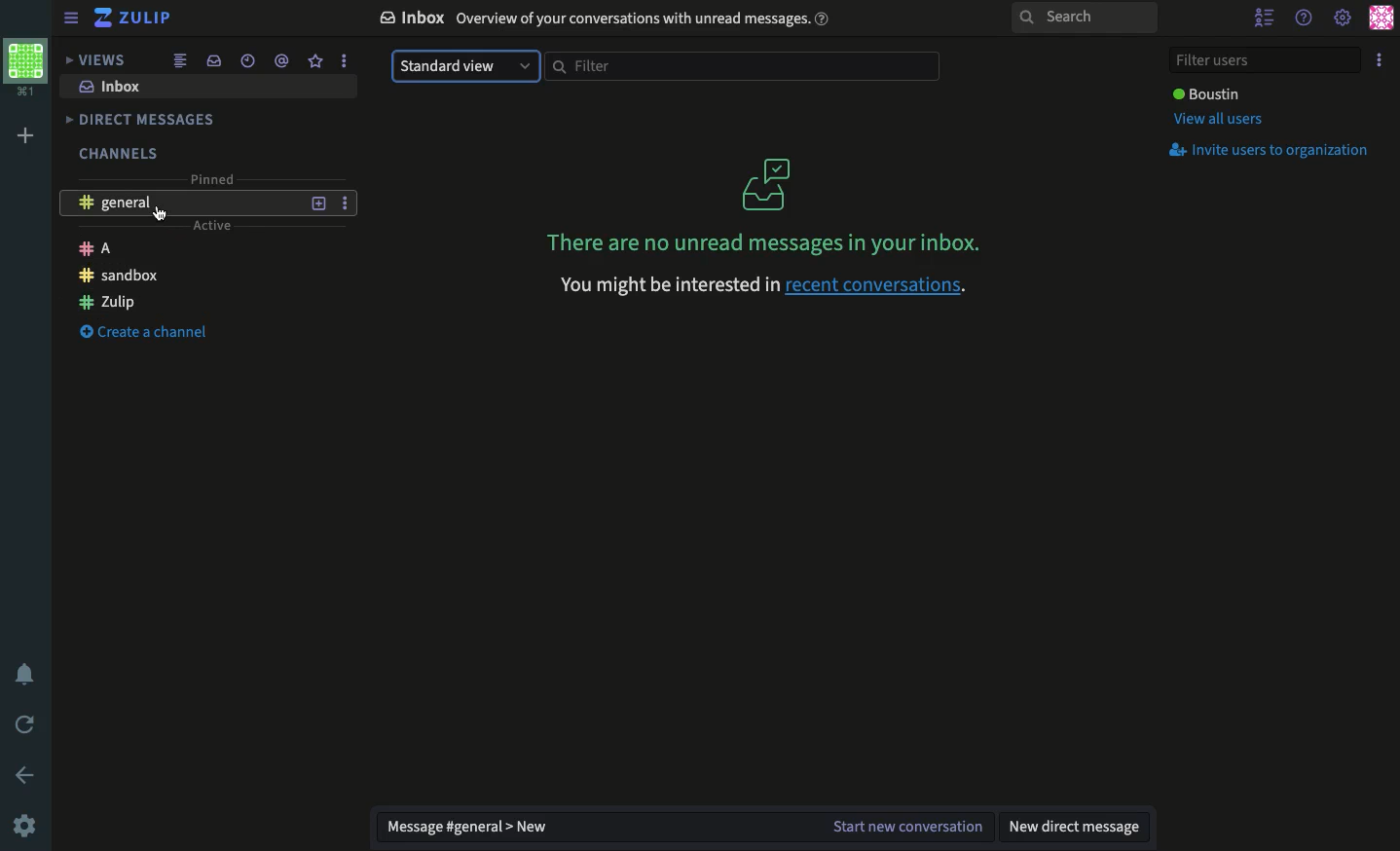  Describe the element at coordinates (1271, 150) in the screenshot. I see `Invites users to organization` at that location.